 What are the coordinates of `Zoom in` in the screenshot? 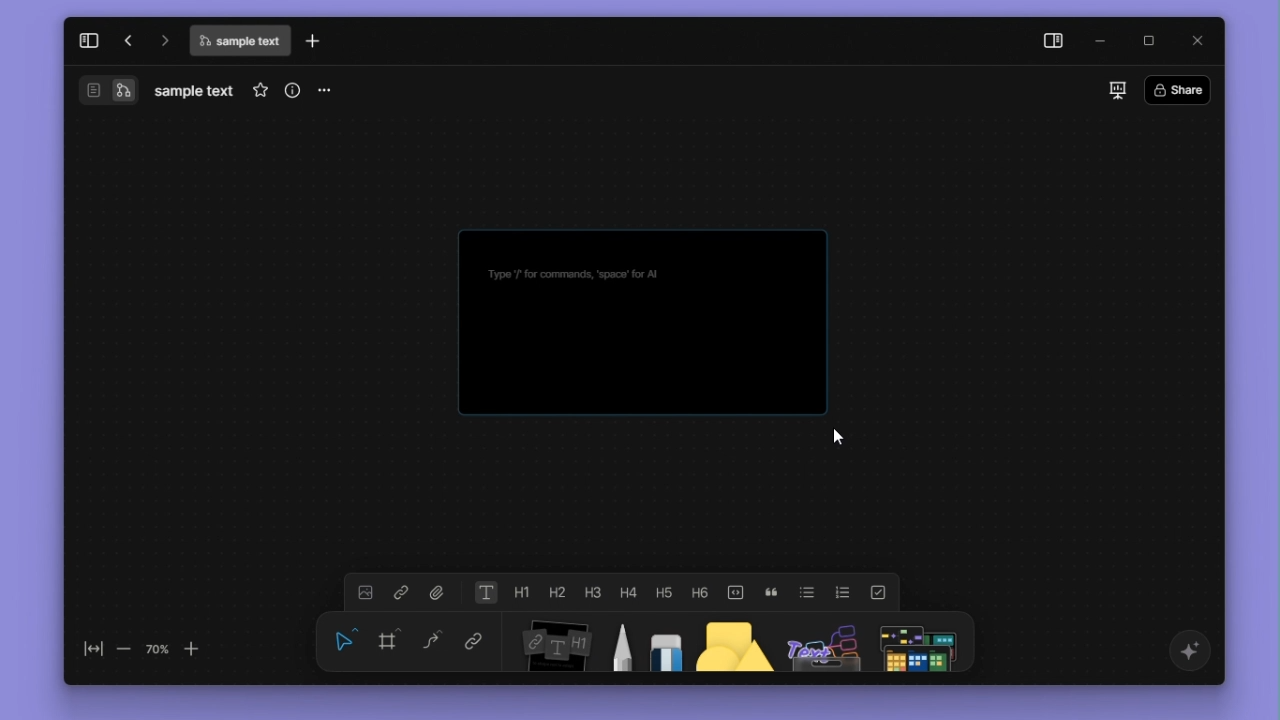 It's located at (202, 648).